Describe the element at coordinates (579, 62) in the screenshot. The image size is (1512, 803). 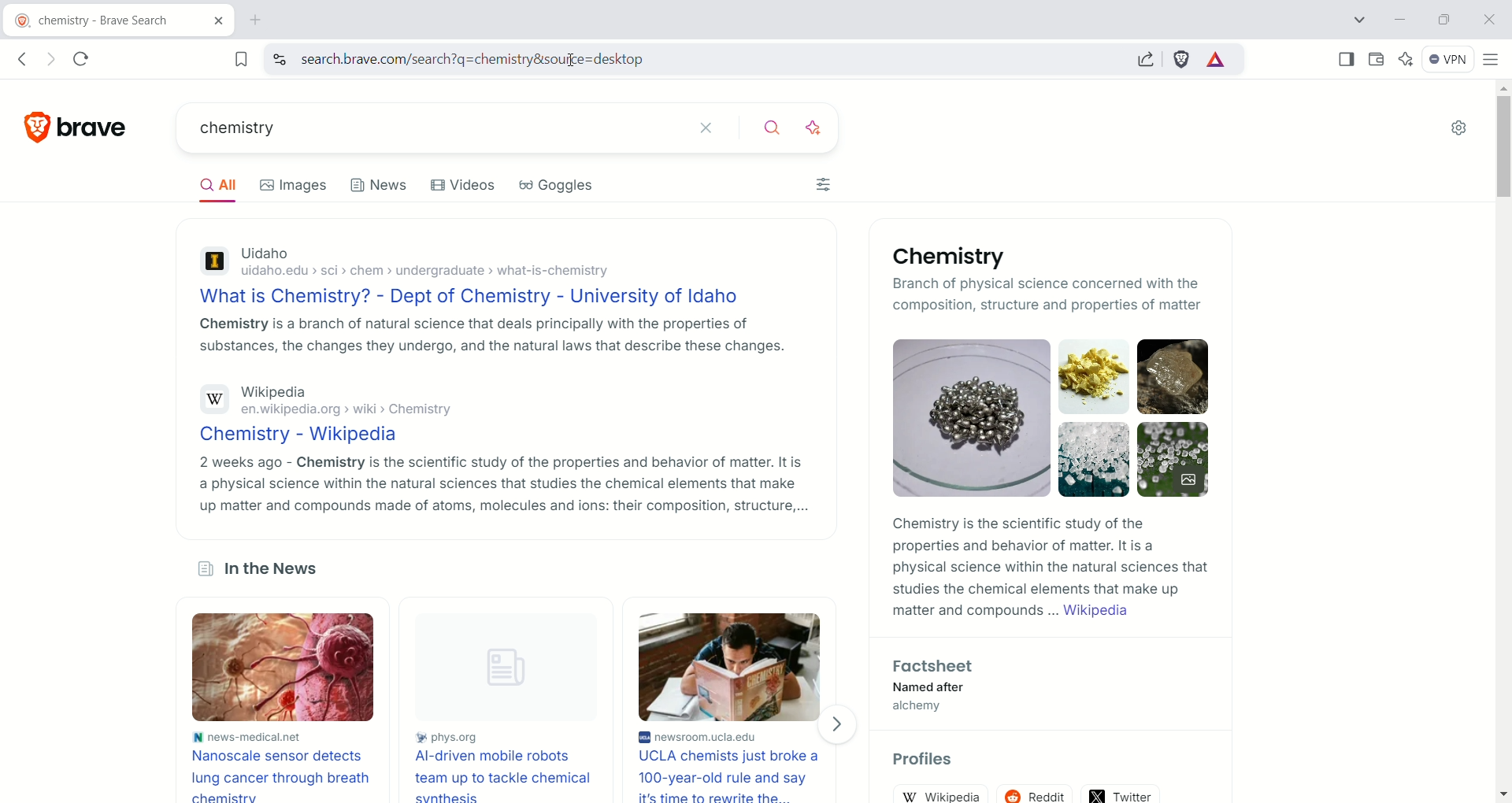
I see `Ibeam cursor` at that location.